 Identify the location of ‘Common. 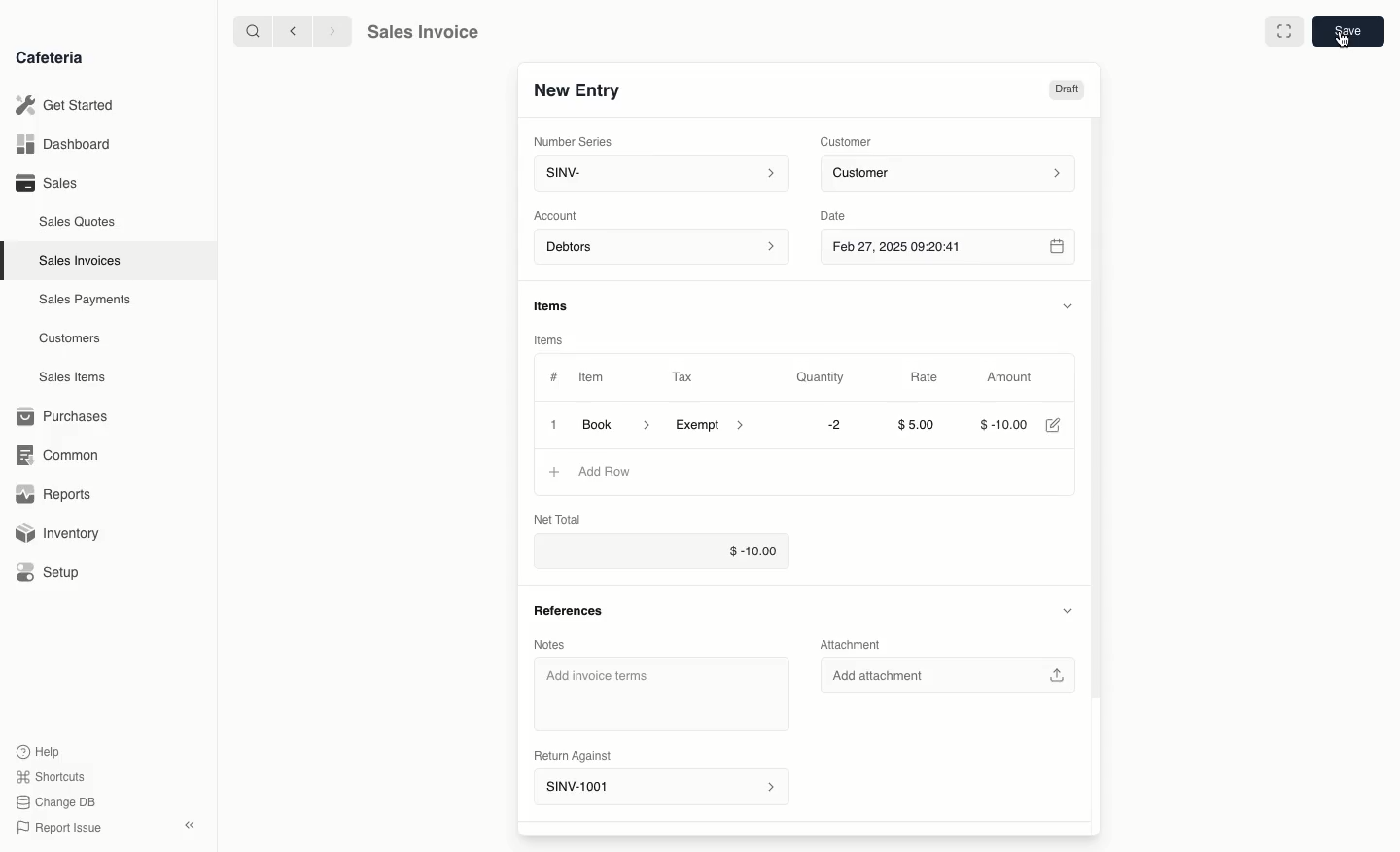
(58, 454).